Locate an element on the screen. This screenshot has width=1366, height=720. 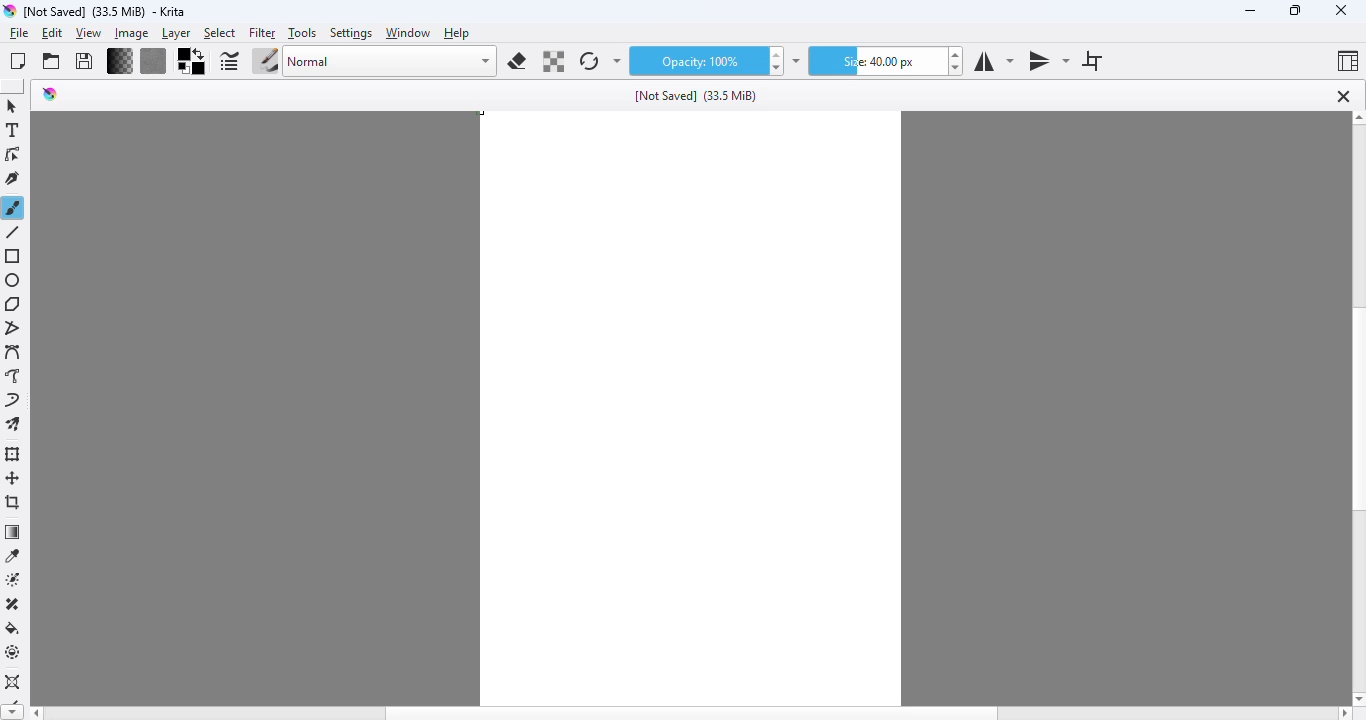
horizontal scroll bar is located at coordinates (687, 712).